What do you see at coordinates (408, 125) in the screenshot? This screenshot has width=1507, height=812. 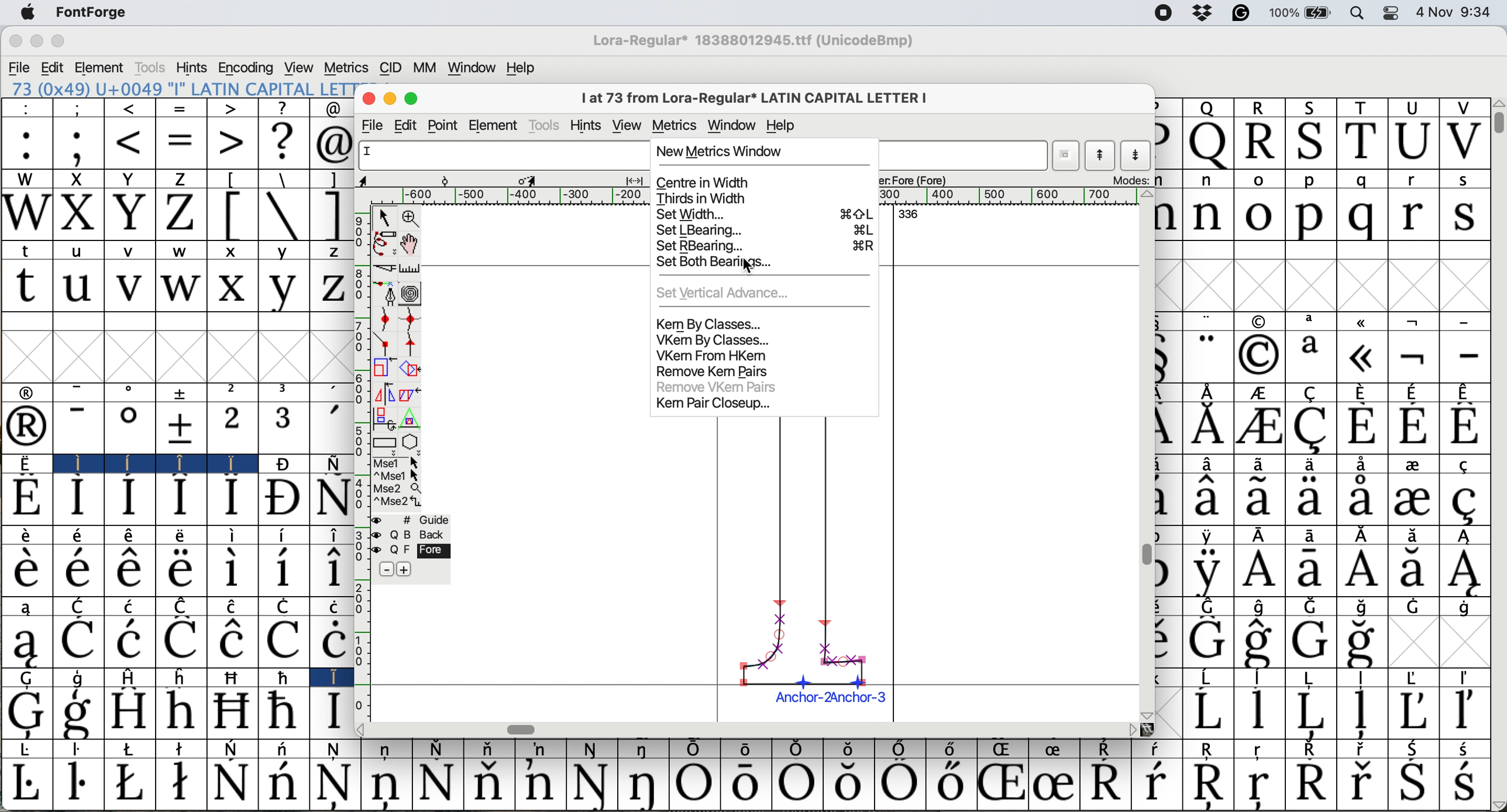 I see `edit` at bounding box center [408, 125].